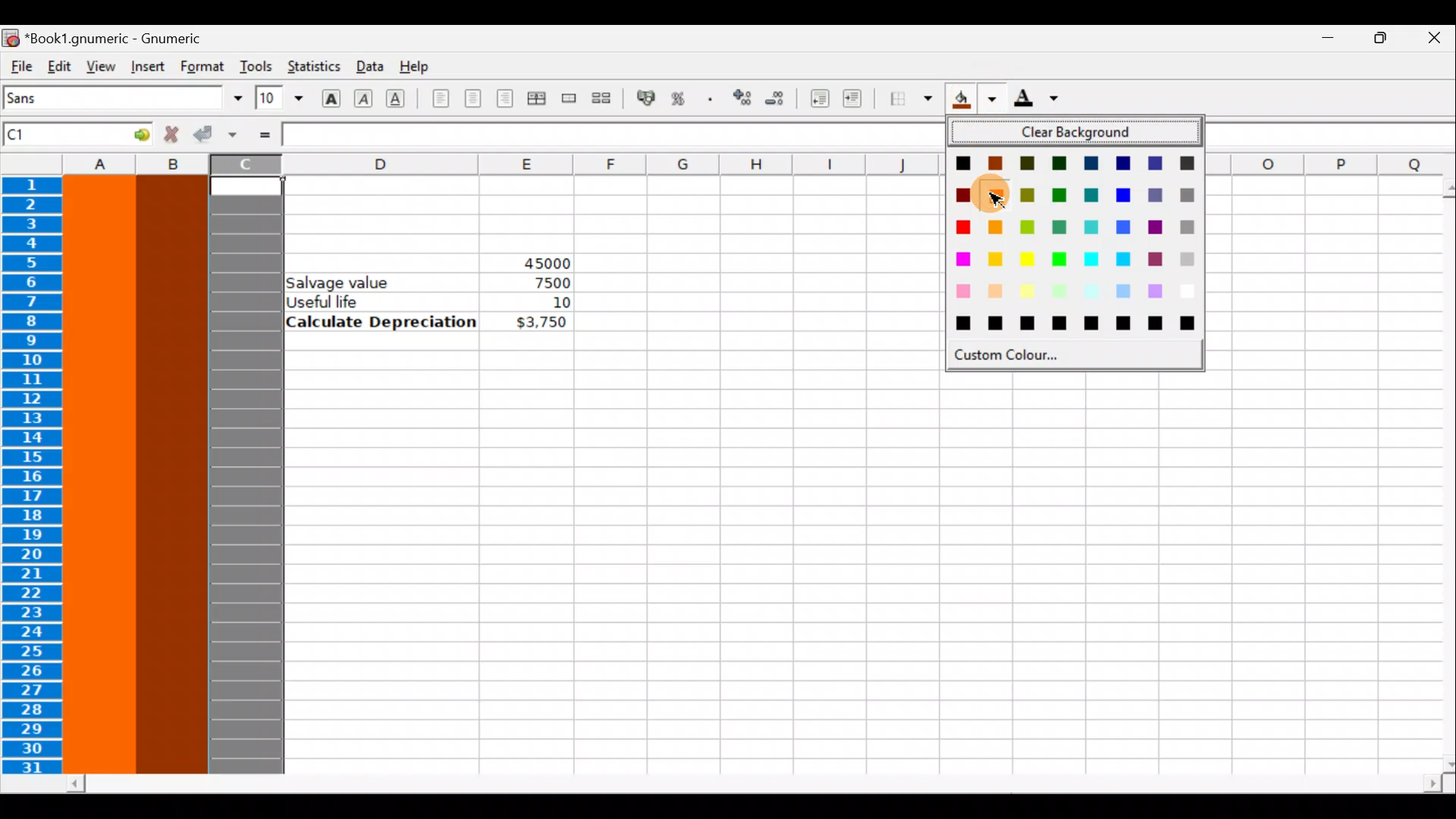 The width and height of the screenshot is (1456, 819). What do you see at coordinates (711, 99) in the screenshot?
I see `Include thousands separator` at bounding box center [711, 99].